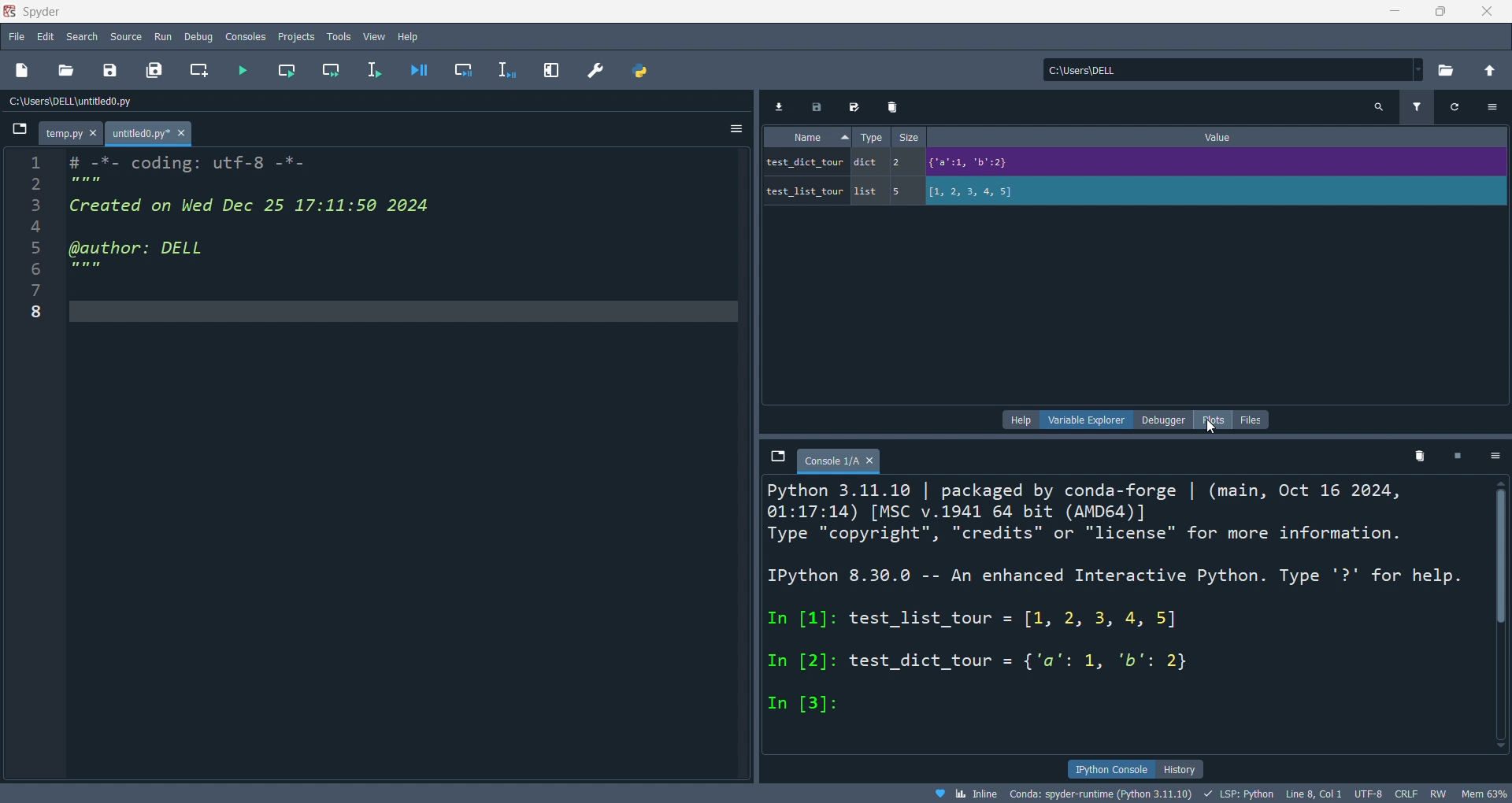  I want to click on options, so click(1492, 107).